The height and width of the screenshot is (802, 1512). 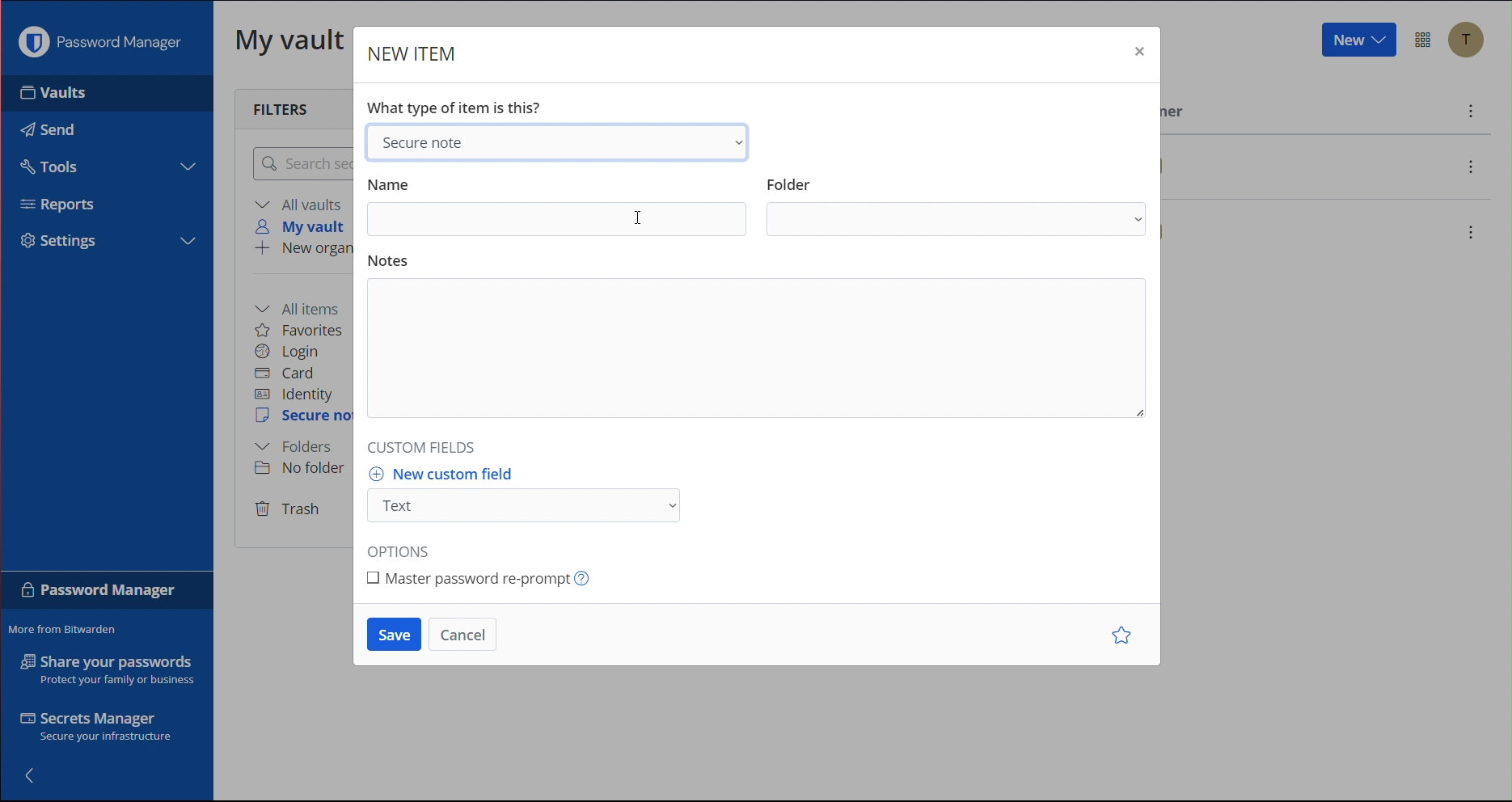 What do you see at coordinates (59, 243) in the screenshot?
I see `Settings` at bounding box center [59, 243].